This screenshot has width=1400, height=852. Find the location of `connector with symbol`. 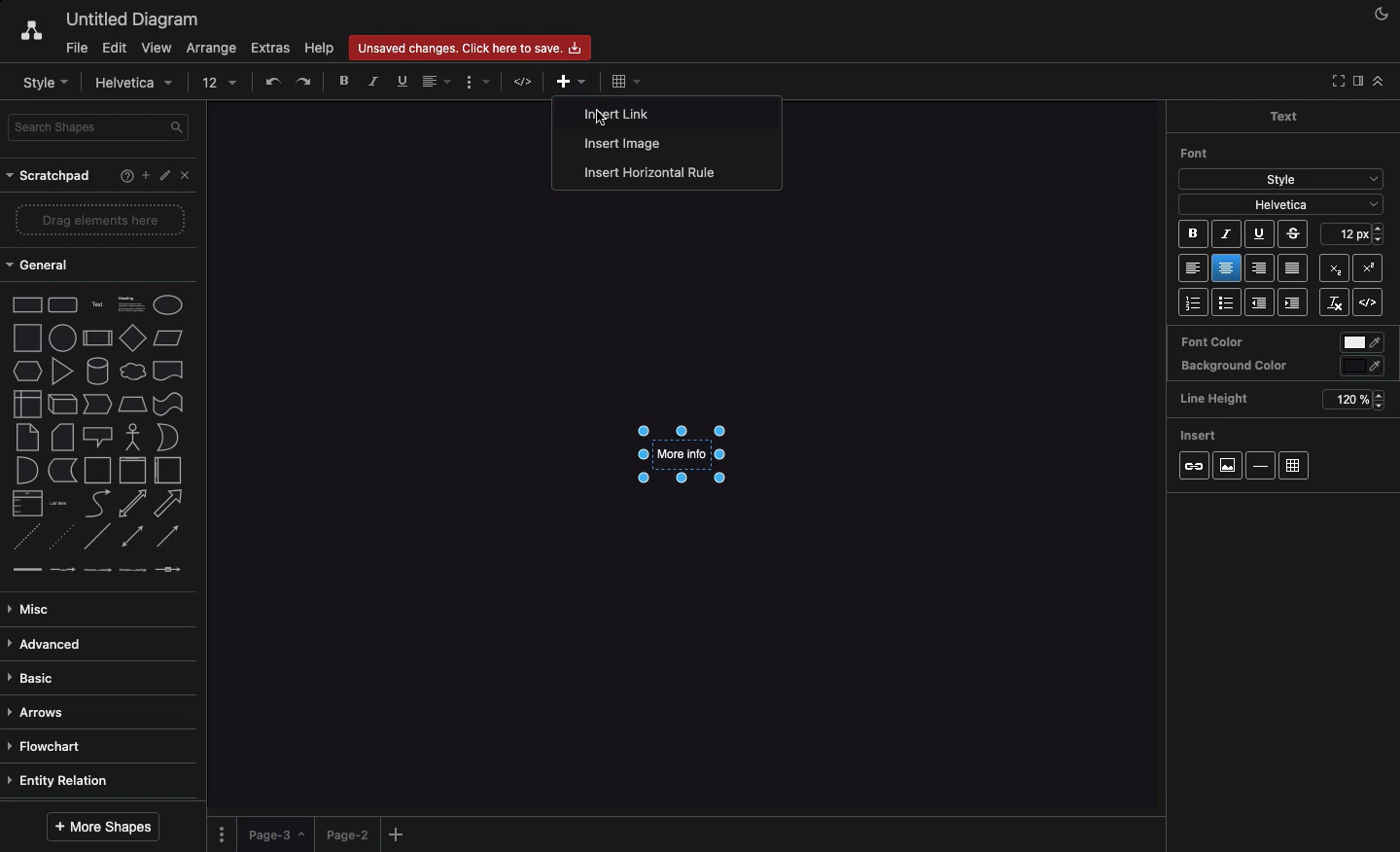

connector with symbol is located at coordinates (171, 569).